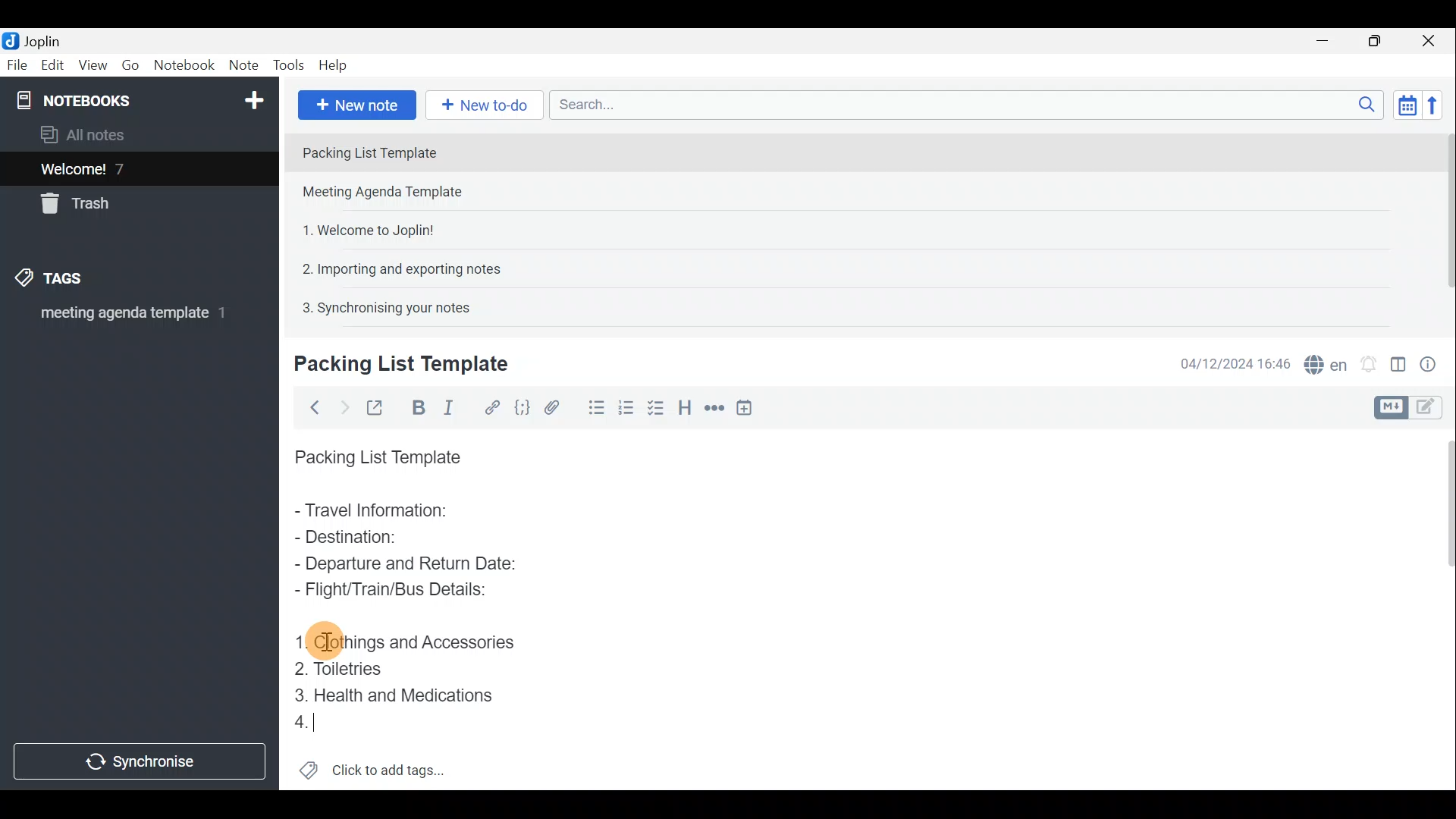  Describe the element at coordinates (342, 670) in the screenshot. I see `Toiletries` at that location.